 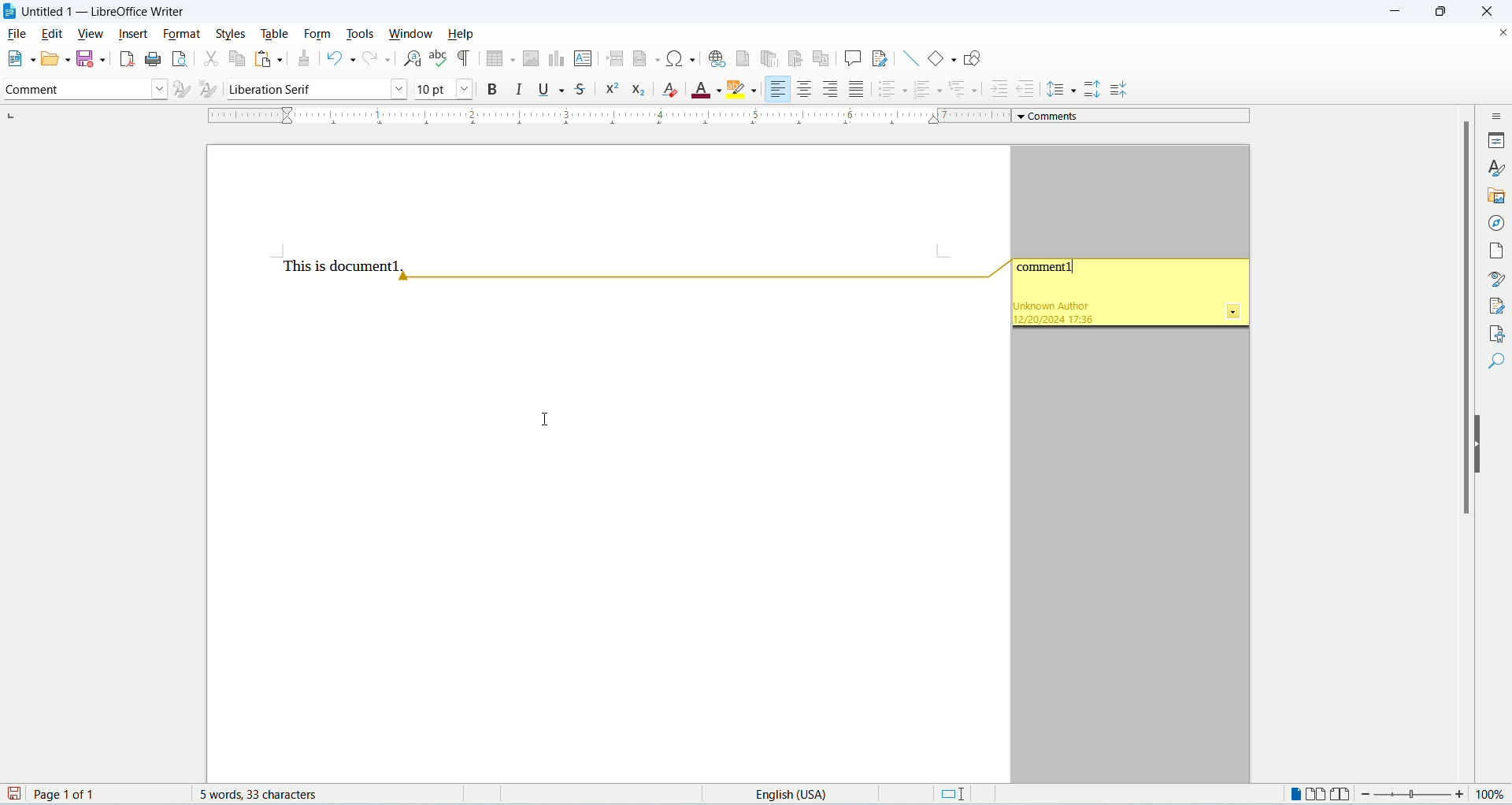 What do you see at coordinates (823, 60) in the screenshot?
I see `inert cross reference` at bounding box center [823, 60].